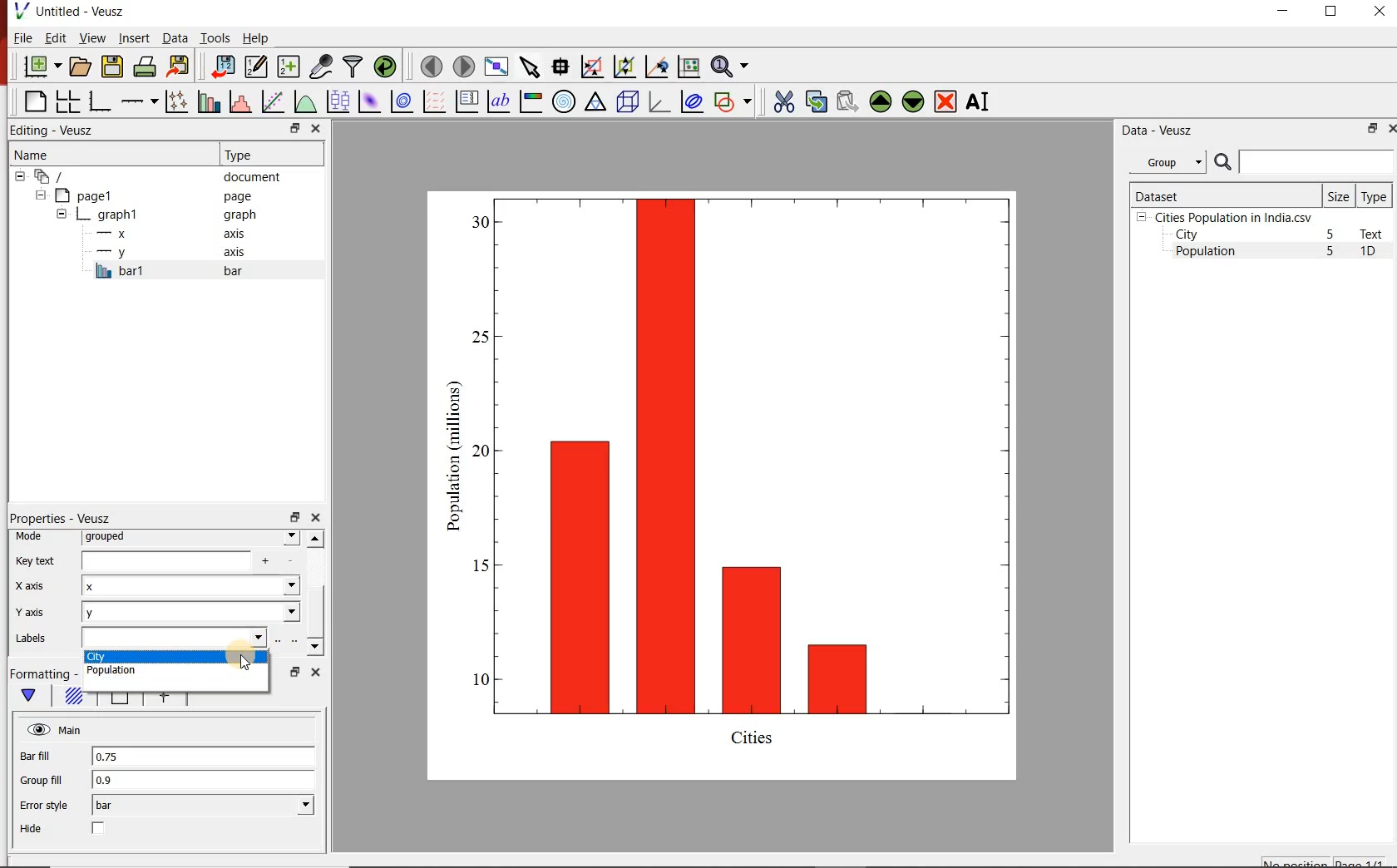  Describe the element at coordinates (56, 730) in the screenshot. I see `Main` at that location.